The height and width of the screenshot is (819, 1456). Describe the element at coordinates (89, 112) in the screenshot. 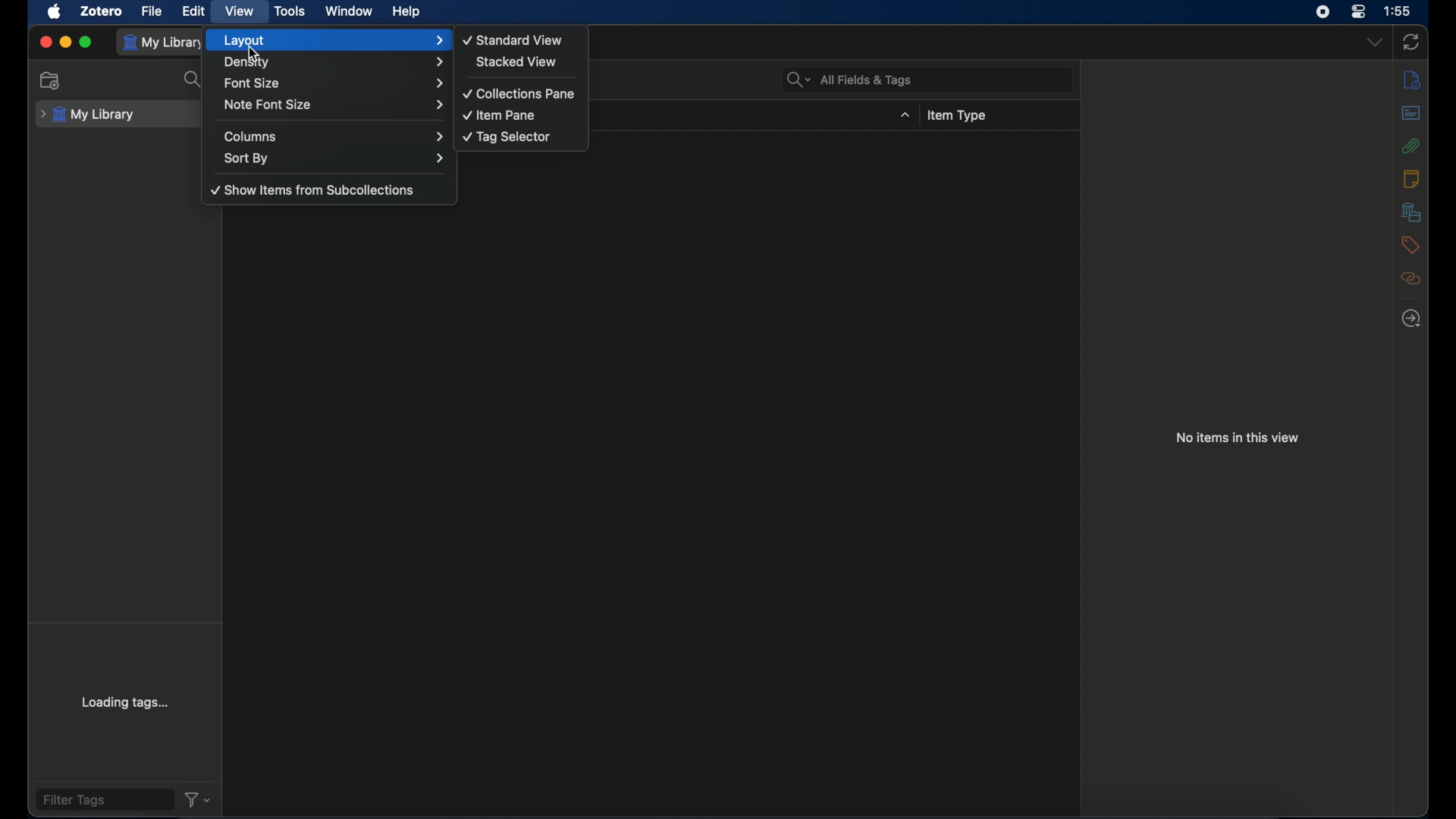

I see `my library` at that location.